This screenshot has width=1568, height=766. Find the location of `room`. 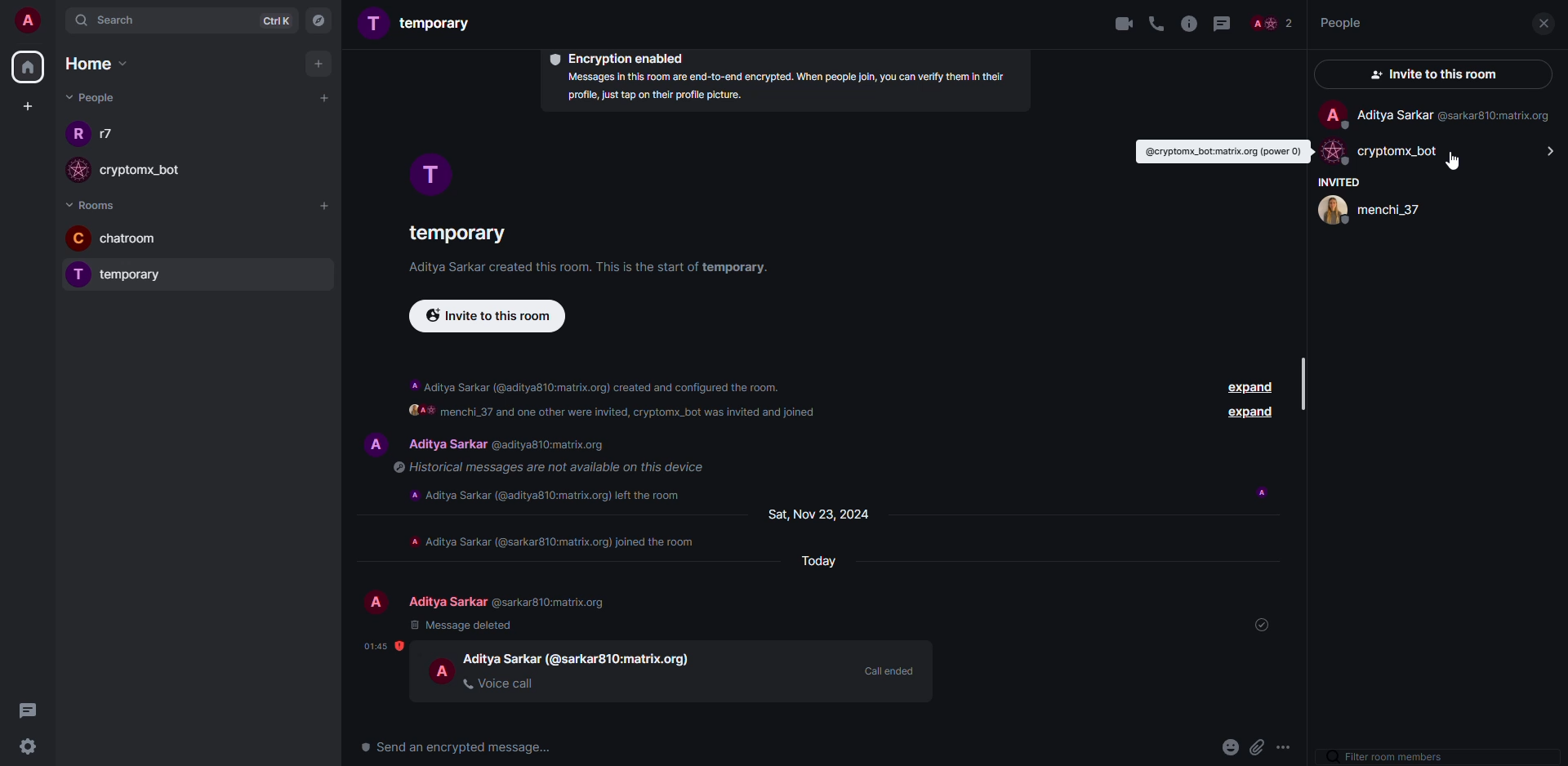

room is located at coordinates (455, 230).